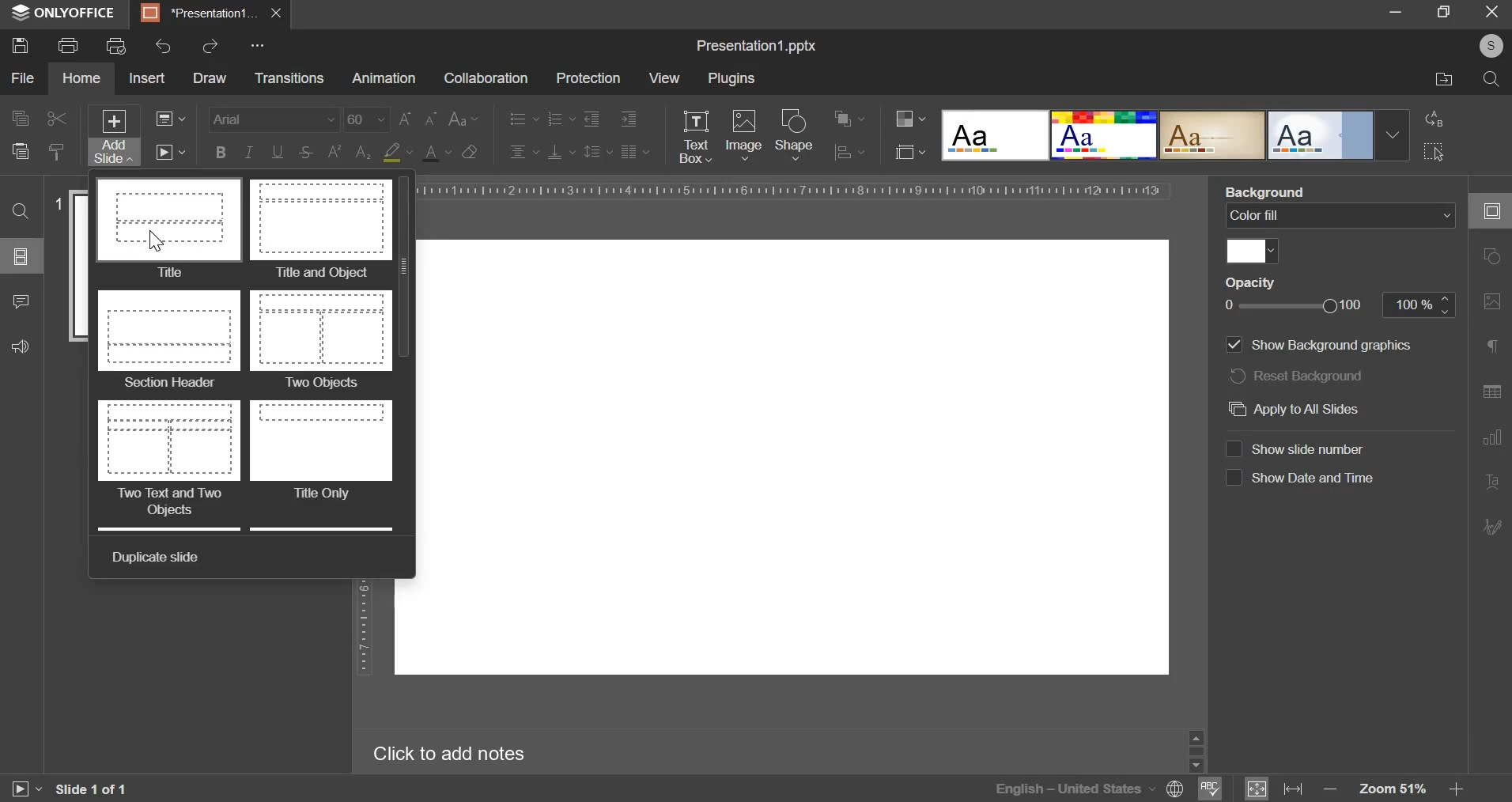  Describe the element at coordinates (1450, 13) in the screenshot. I see `full screen` at that location.